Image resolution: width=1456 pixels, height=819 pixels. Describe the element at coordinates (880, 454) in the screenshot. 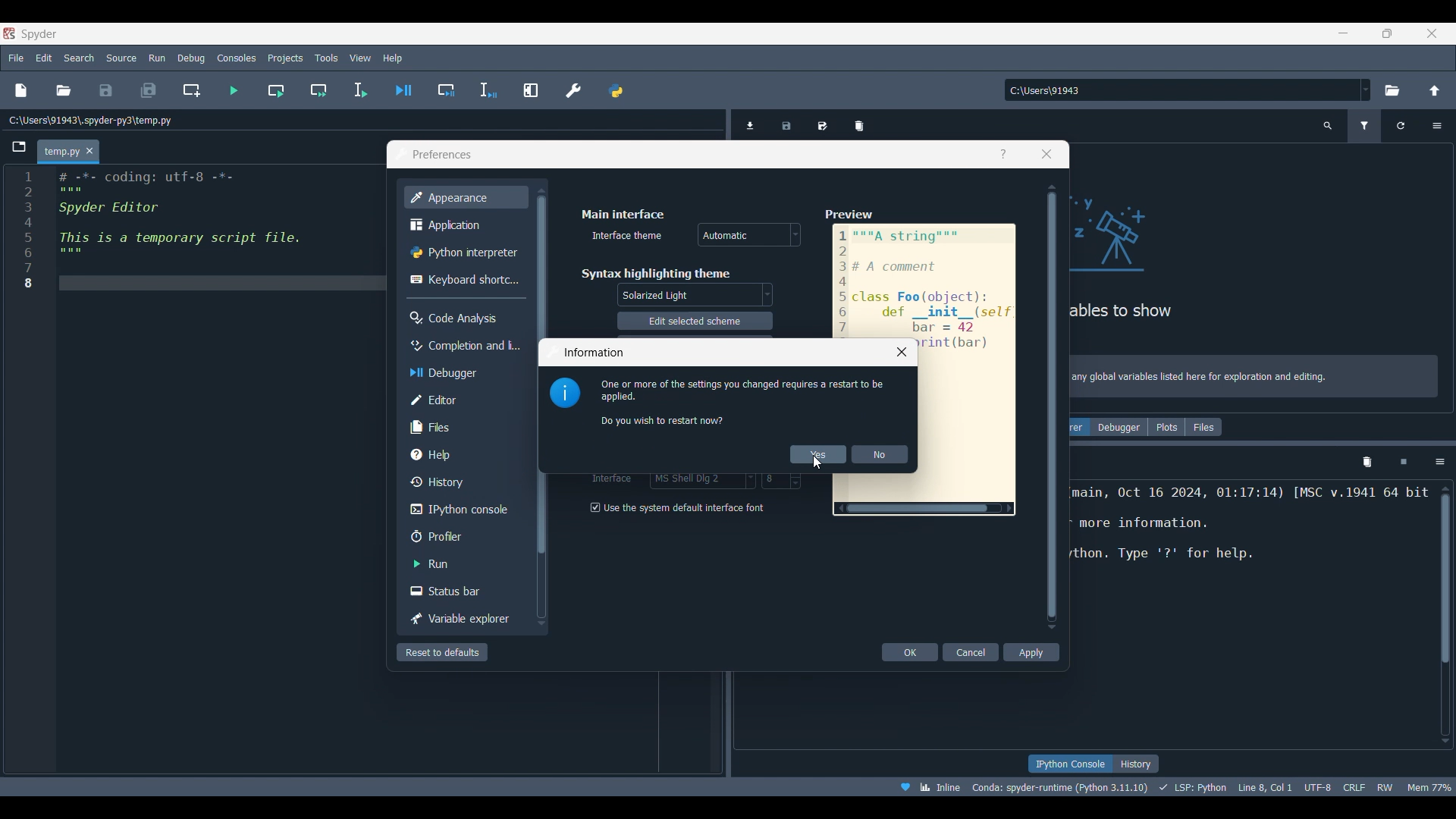

I see `Don't apply` at that location.